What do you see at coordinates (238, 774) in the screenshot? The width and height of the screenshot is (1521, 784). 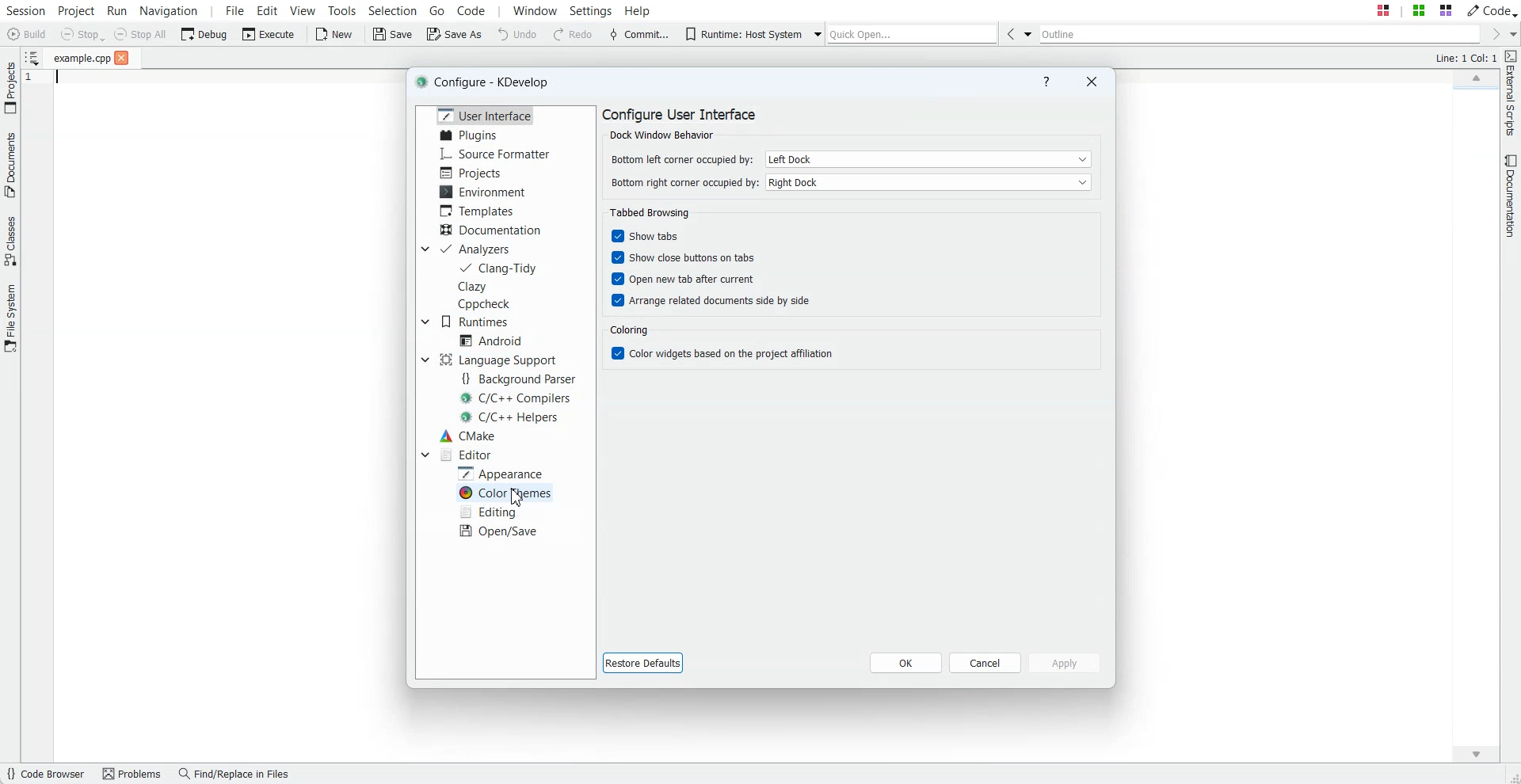 I see `Find/Replace in files` at bounding box center [238, 774].